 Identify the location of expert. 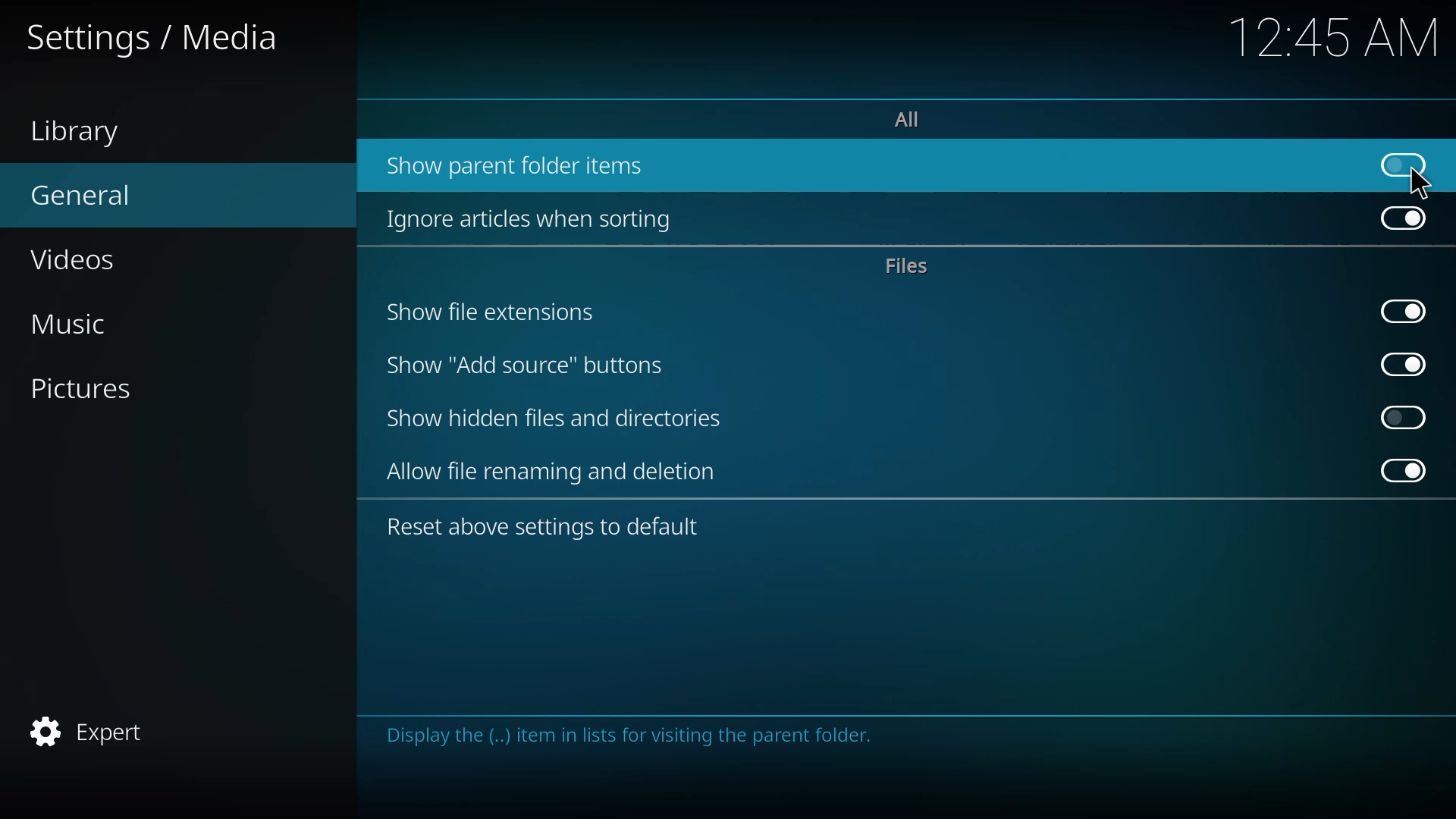
(93, 731).